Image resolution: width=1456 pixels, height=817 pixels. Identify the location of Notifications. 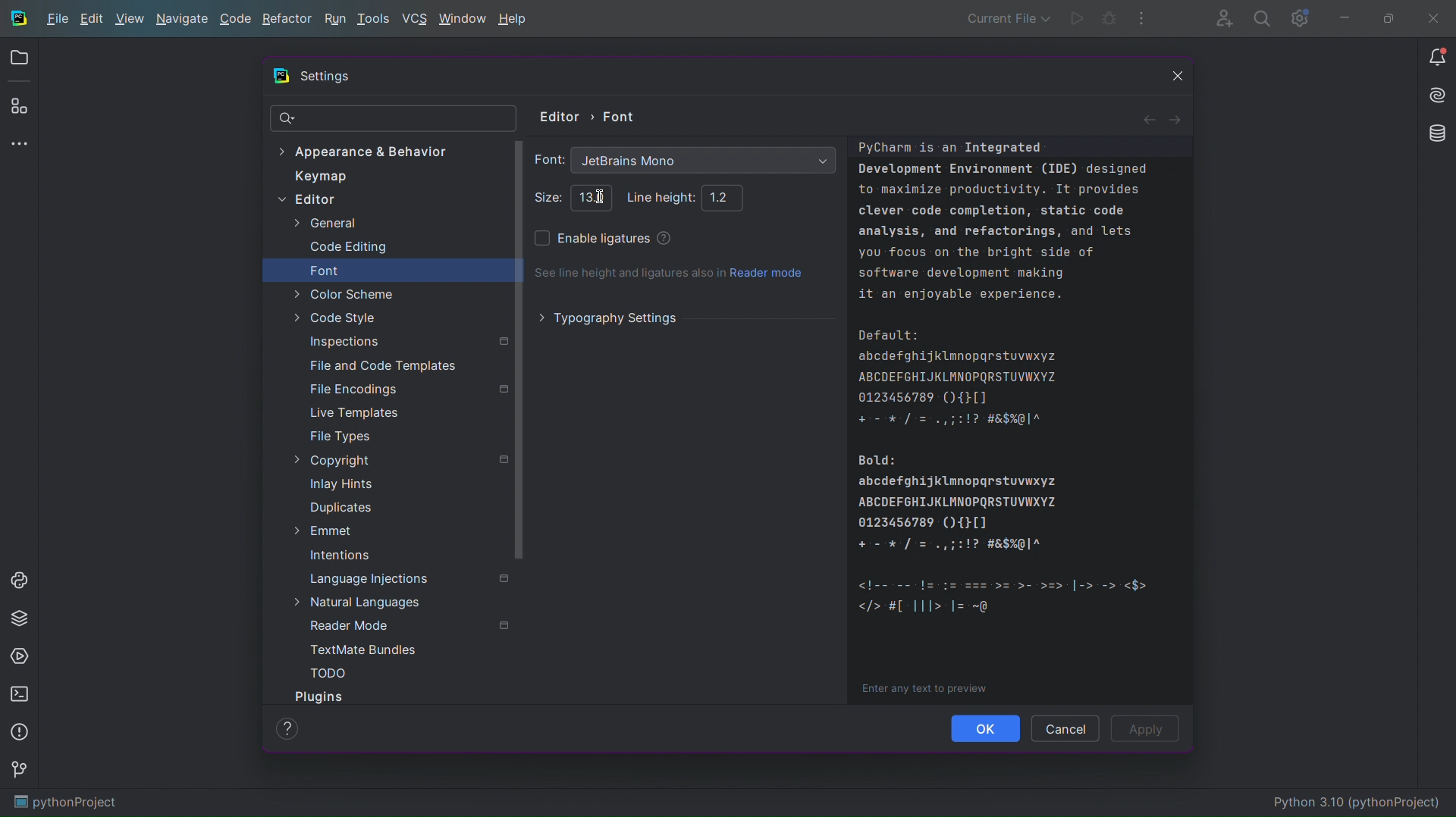
(1436, 58).